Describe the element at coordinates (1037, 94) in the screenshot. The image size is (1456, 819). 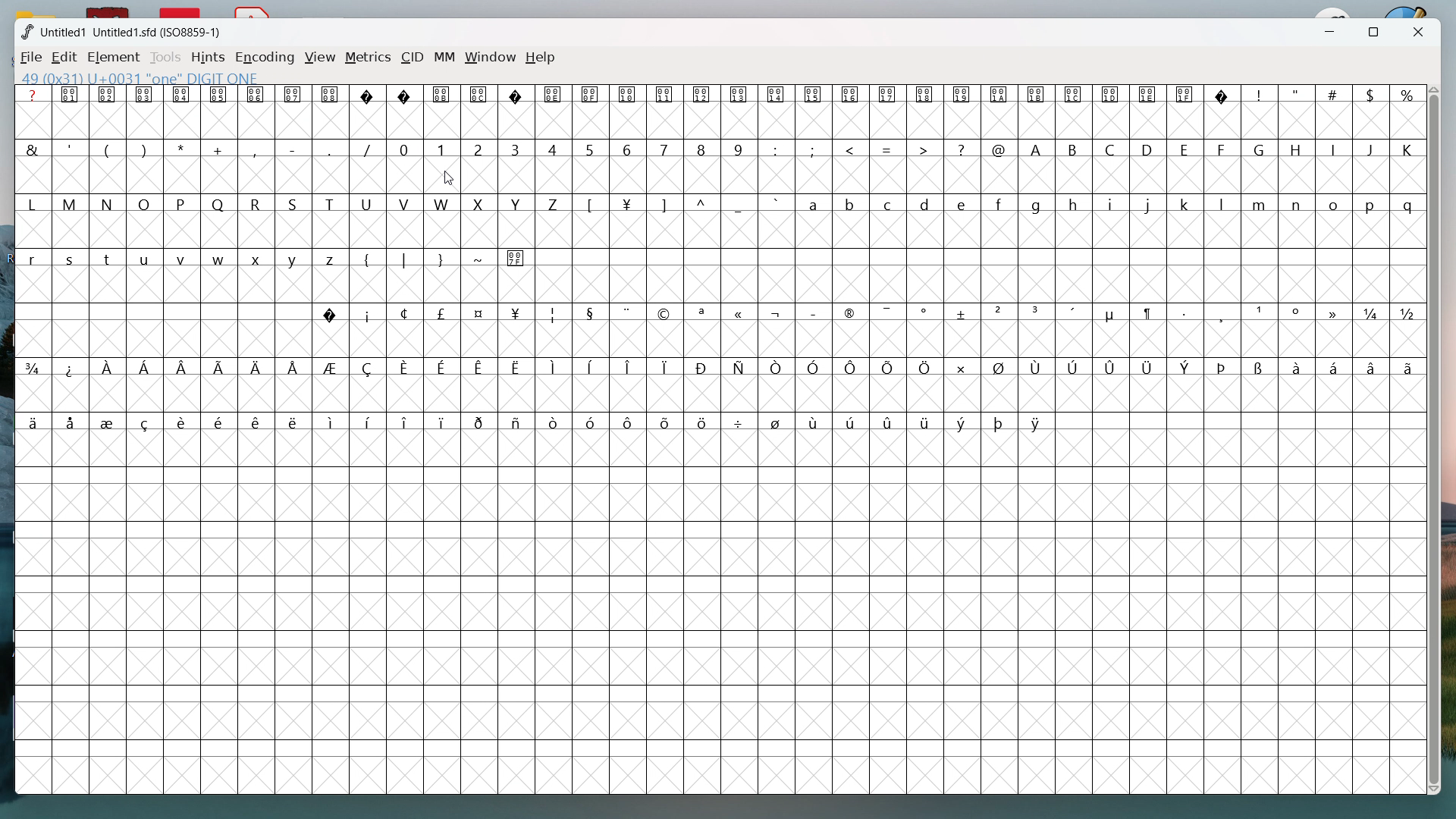
I see `symbol` at that location.